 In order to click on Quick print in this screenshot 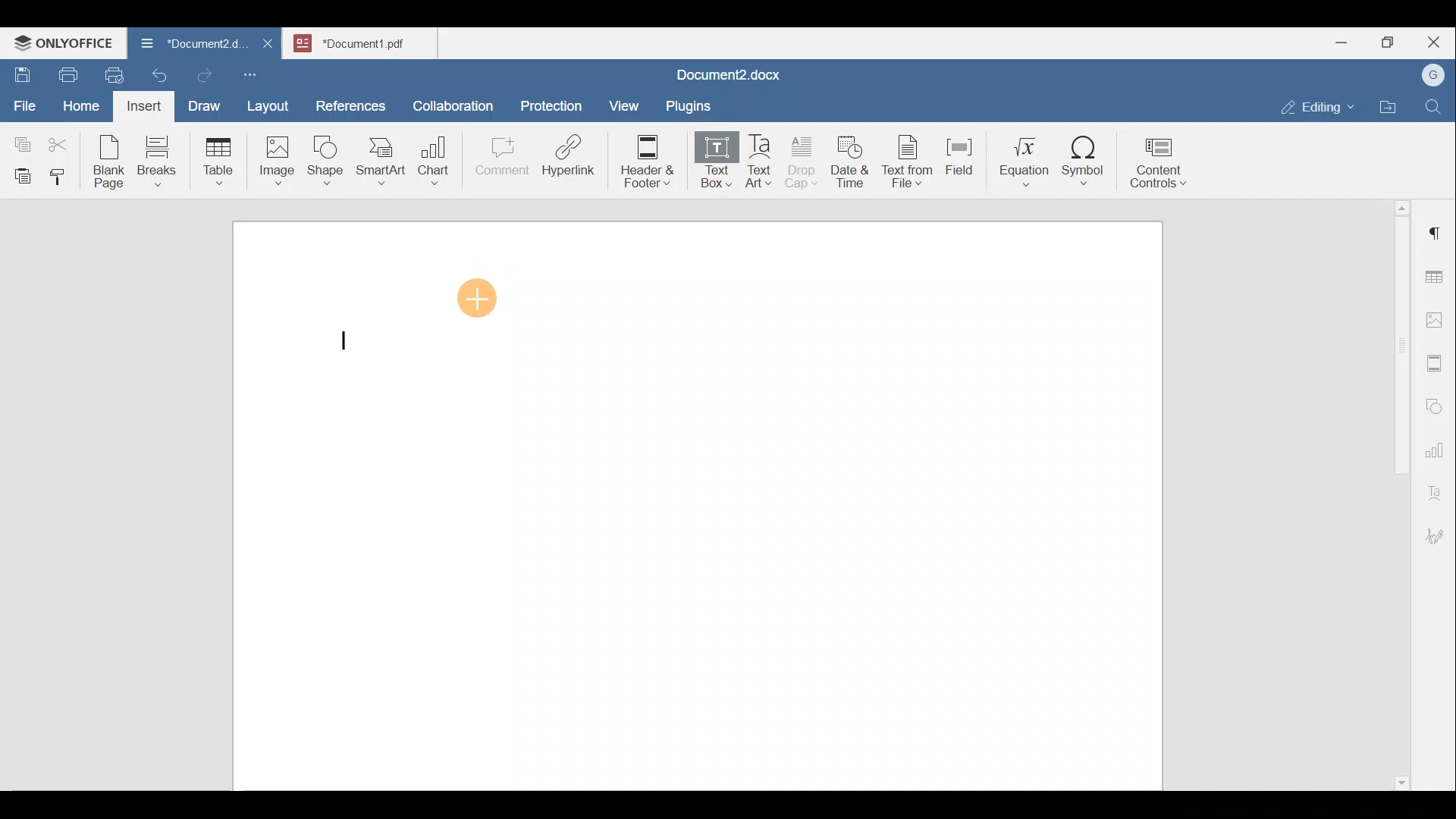, I will do `click(109, 73)`.